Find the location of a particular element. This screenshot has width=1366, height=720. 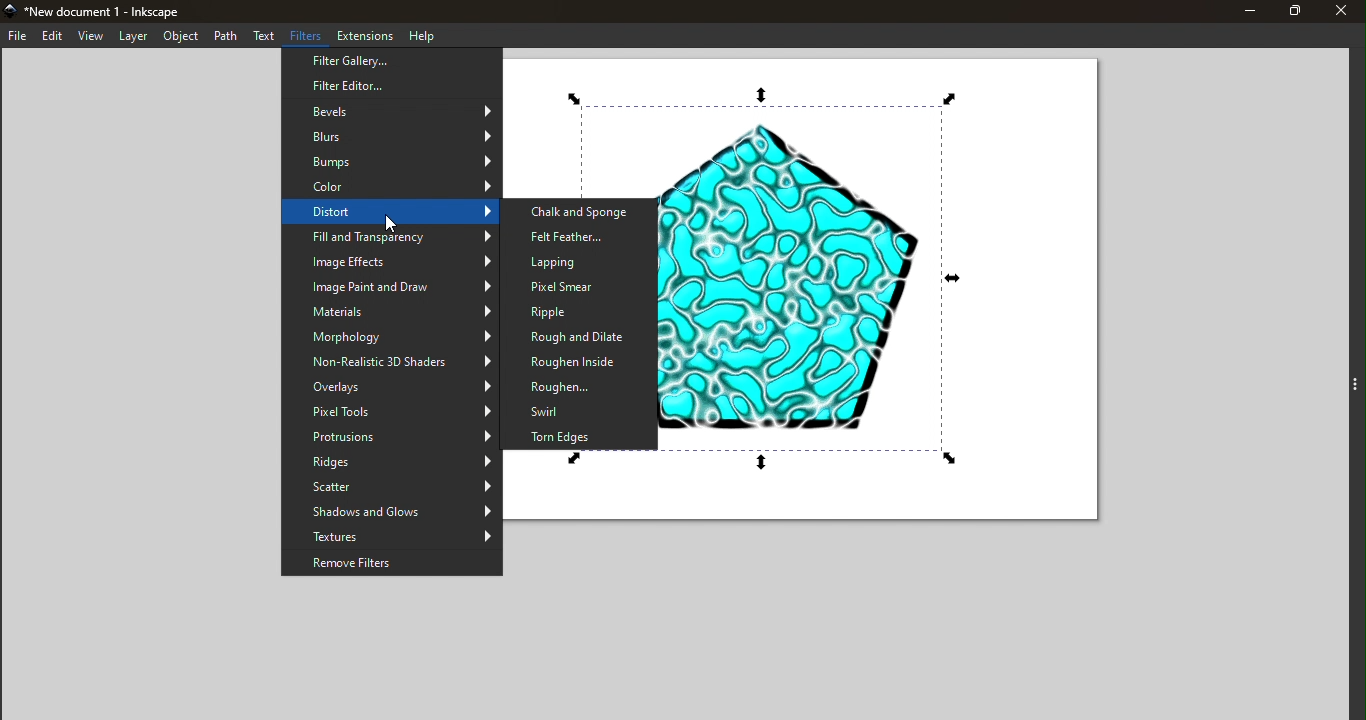

Object is located at coordinates (178, 36).